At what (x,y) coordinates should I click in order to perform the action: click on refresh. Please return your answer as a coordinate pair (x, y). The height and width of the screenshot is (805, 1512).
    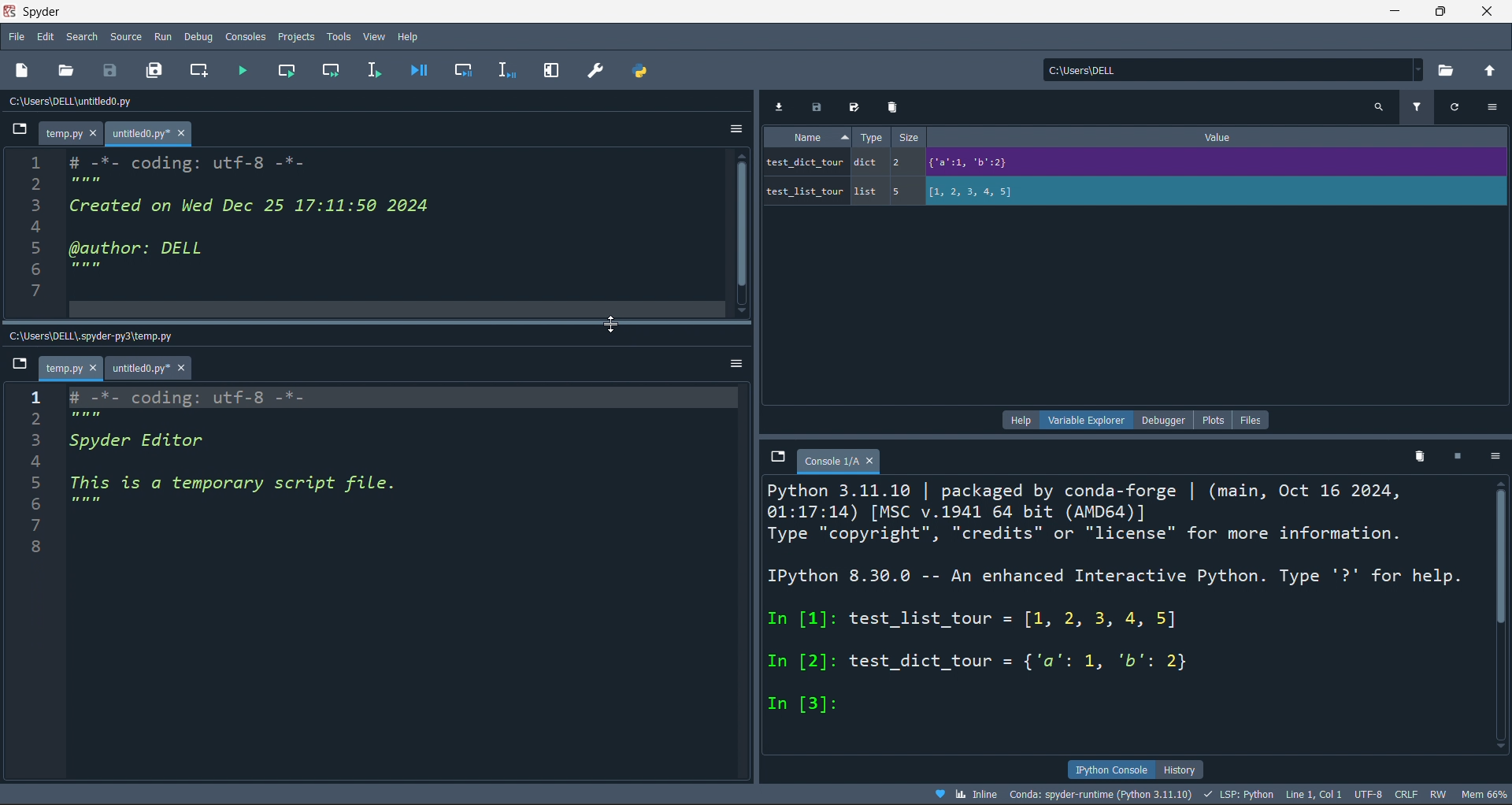
    Looking at the image, I should click on (1459, 108).